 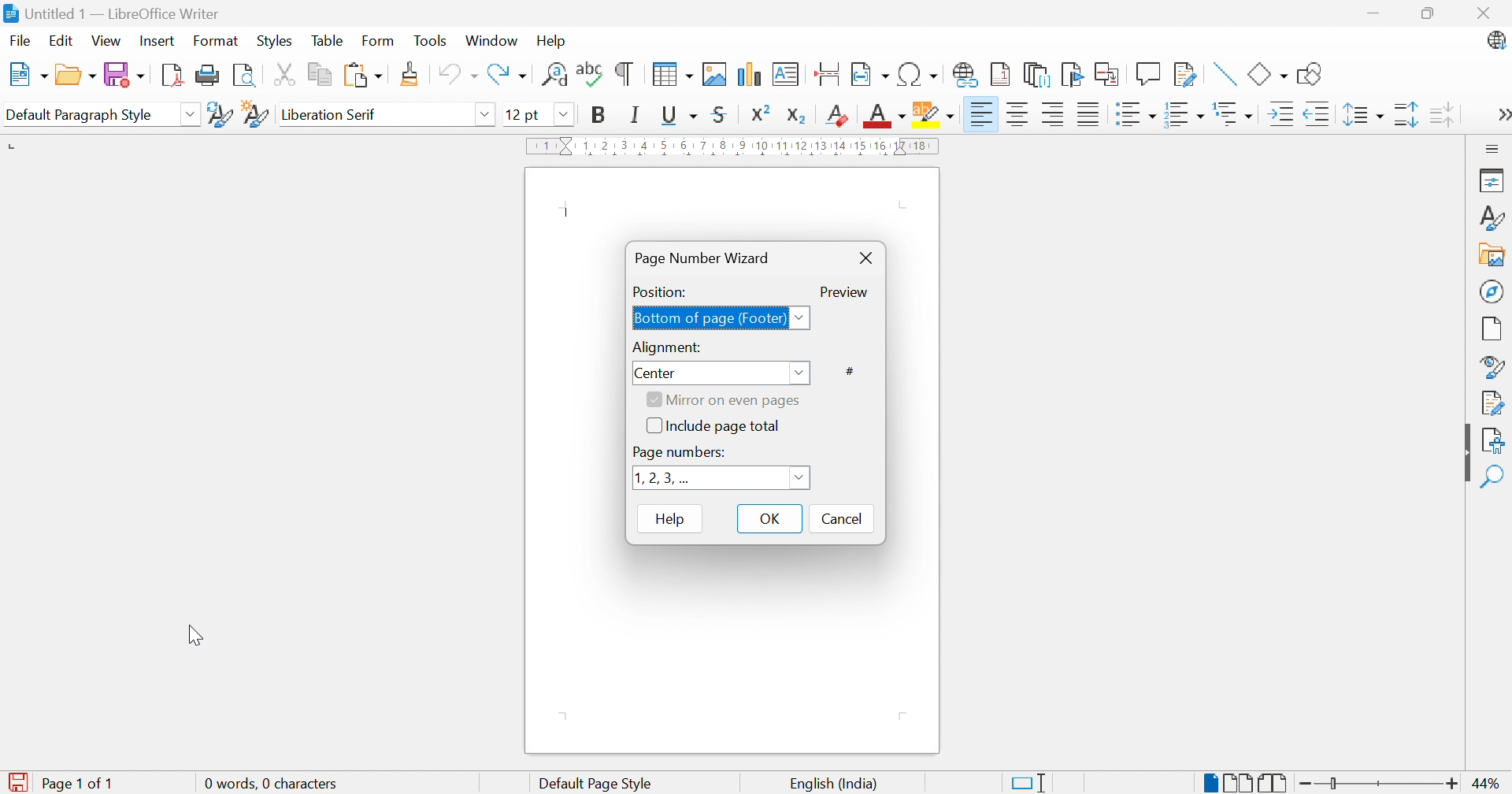 What do you see at coordinates (935, 114) in the screenshot?
I see `Character highlighting color` at bounding box center [935, 114].